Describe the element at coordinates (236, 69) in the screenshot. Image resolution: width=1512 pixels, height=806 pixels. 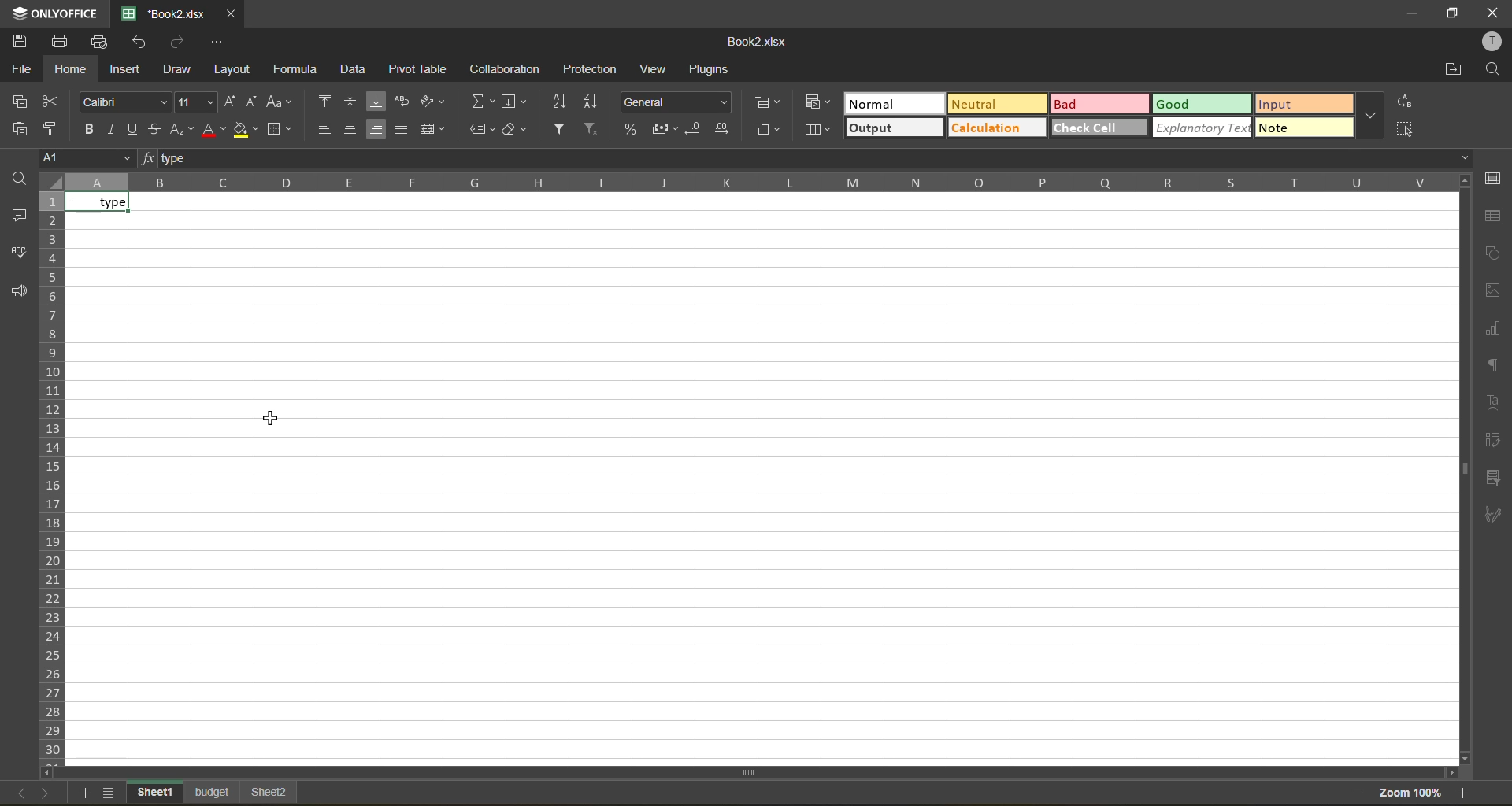
I see `layout` at that location.